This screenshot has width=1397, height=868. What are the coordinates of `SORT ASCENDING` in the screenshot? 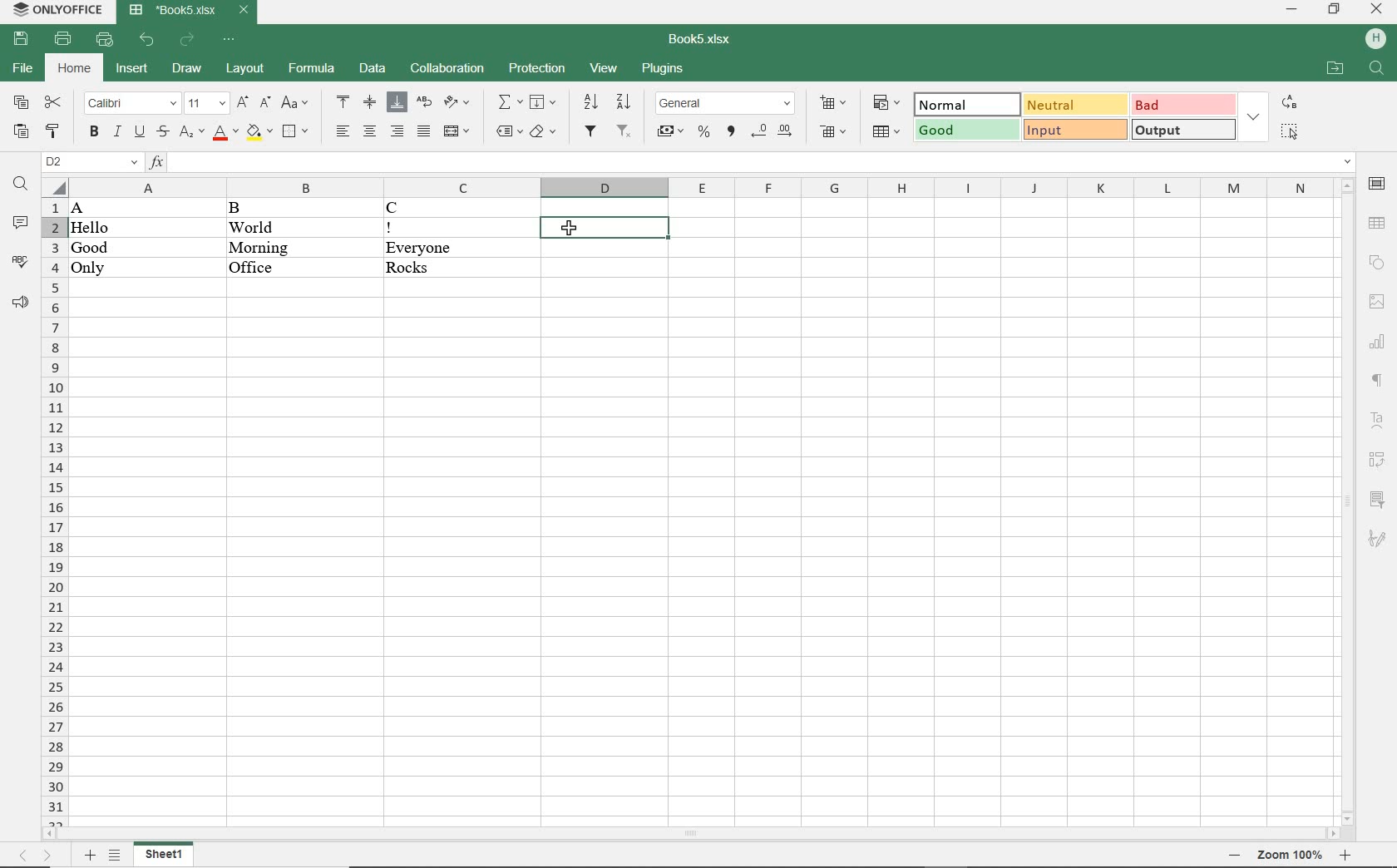 It's located at (590, 102).